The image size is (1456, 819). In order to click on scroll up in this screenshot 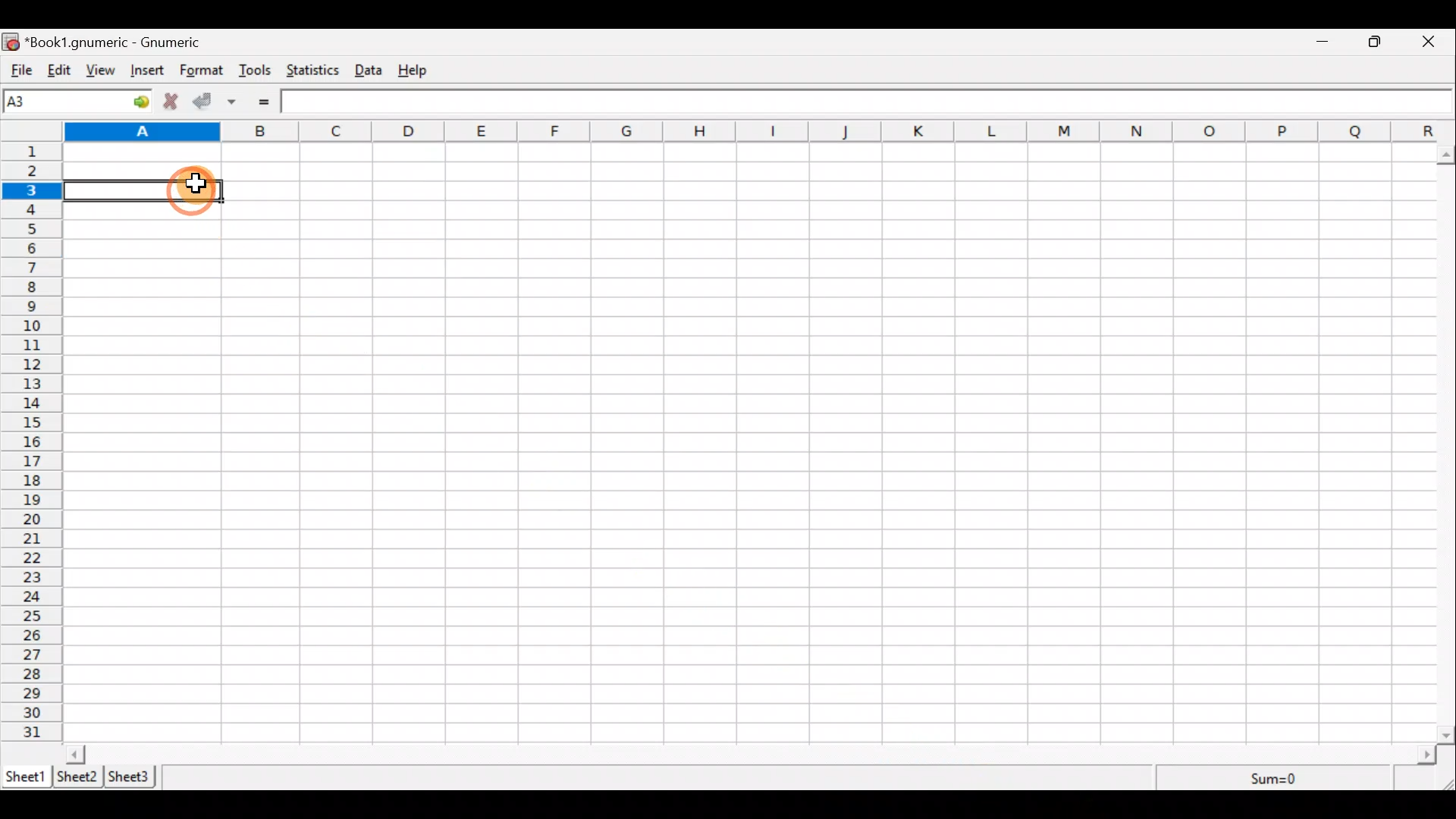, I will do `click(1447, 155)`.